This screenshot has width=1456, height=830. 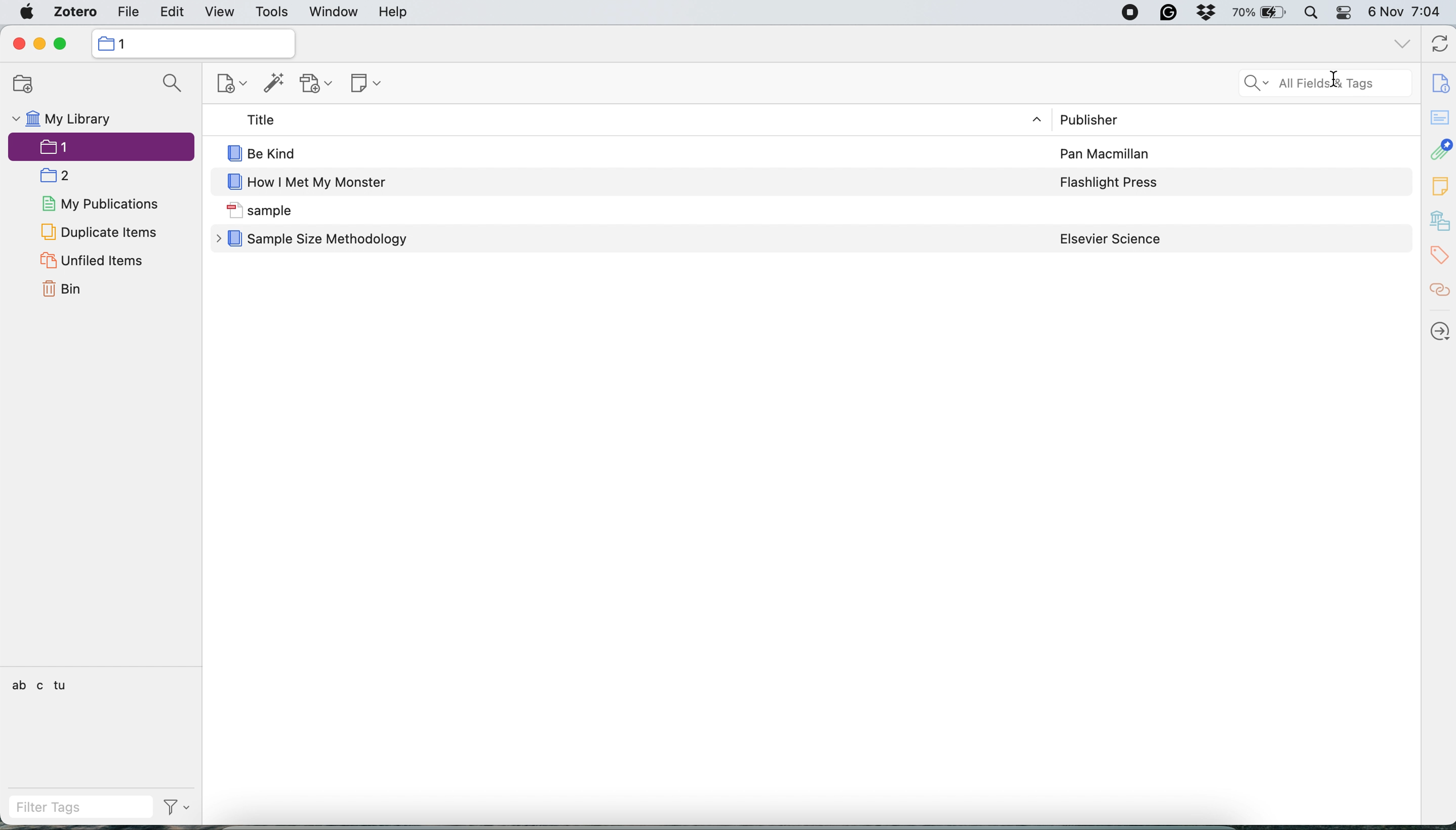 What do you see at coordinates (19, 44) in the screenshot?
I see `close` at bounding box center [19, 44].